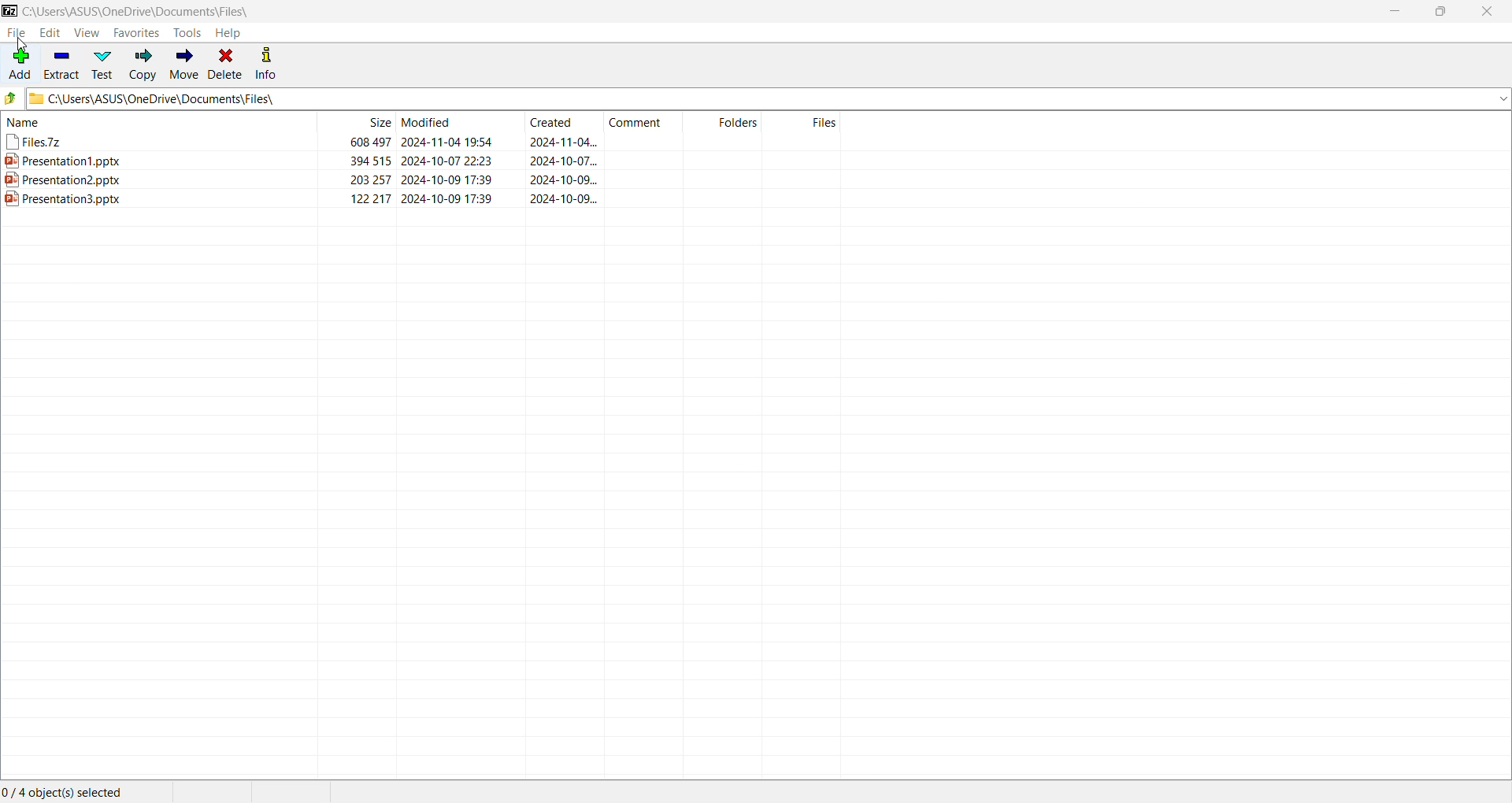  Describe the element at coordinates (143, 66) in the screenshot. I see `Copy` at that location.